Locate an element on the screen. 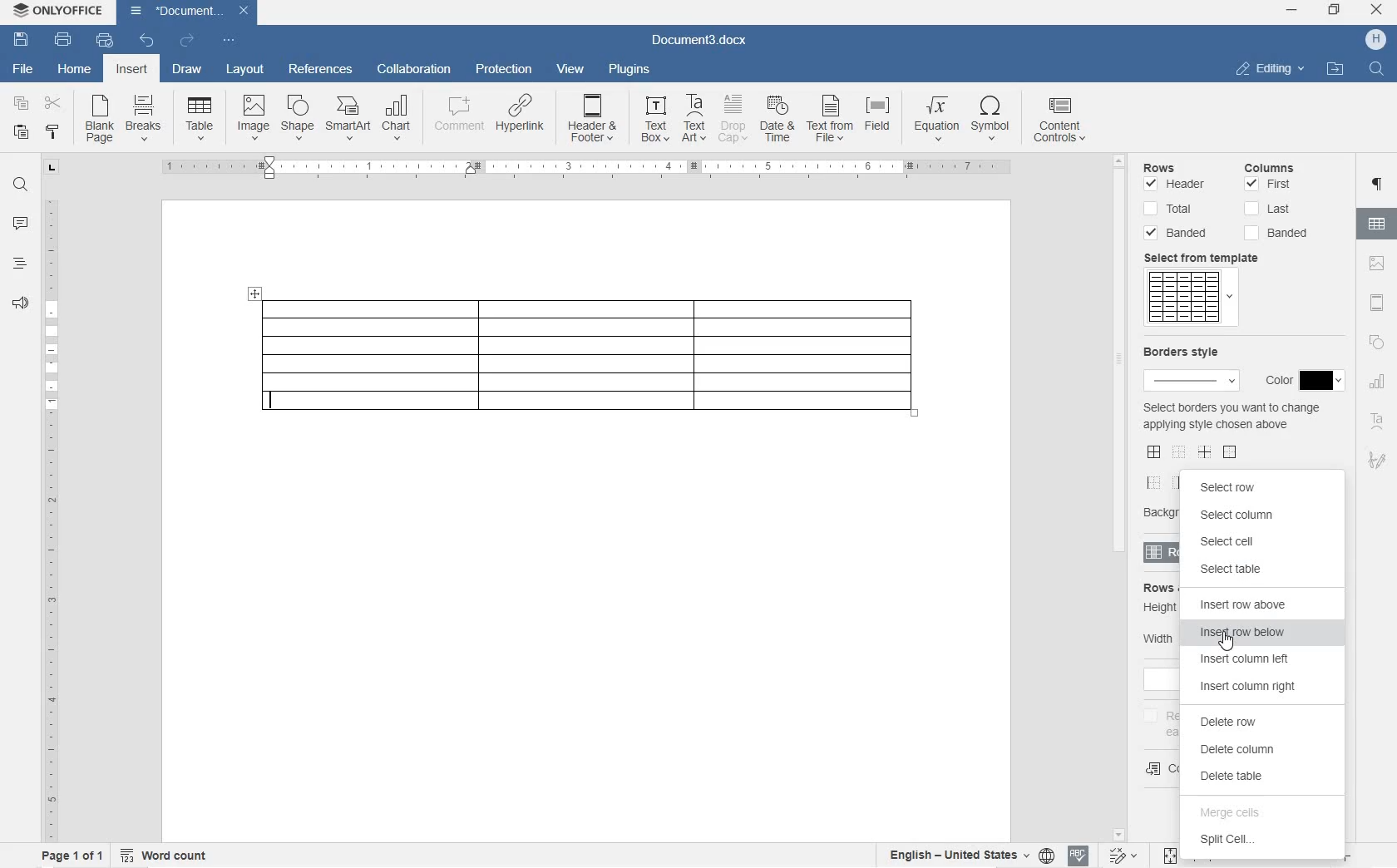 The image size is (1397, 868). rows is located at coordinates (1177, 169).